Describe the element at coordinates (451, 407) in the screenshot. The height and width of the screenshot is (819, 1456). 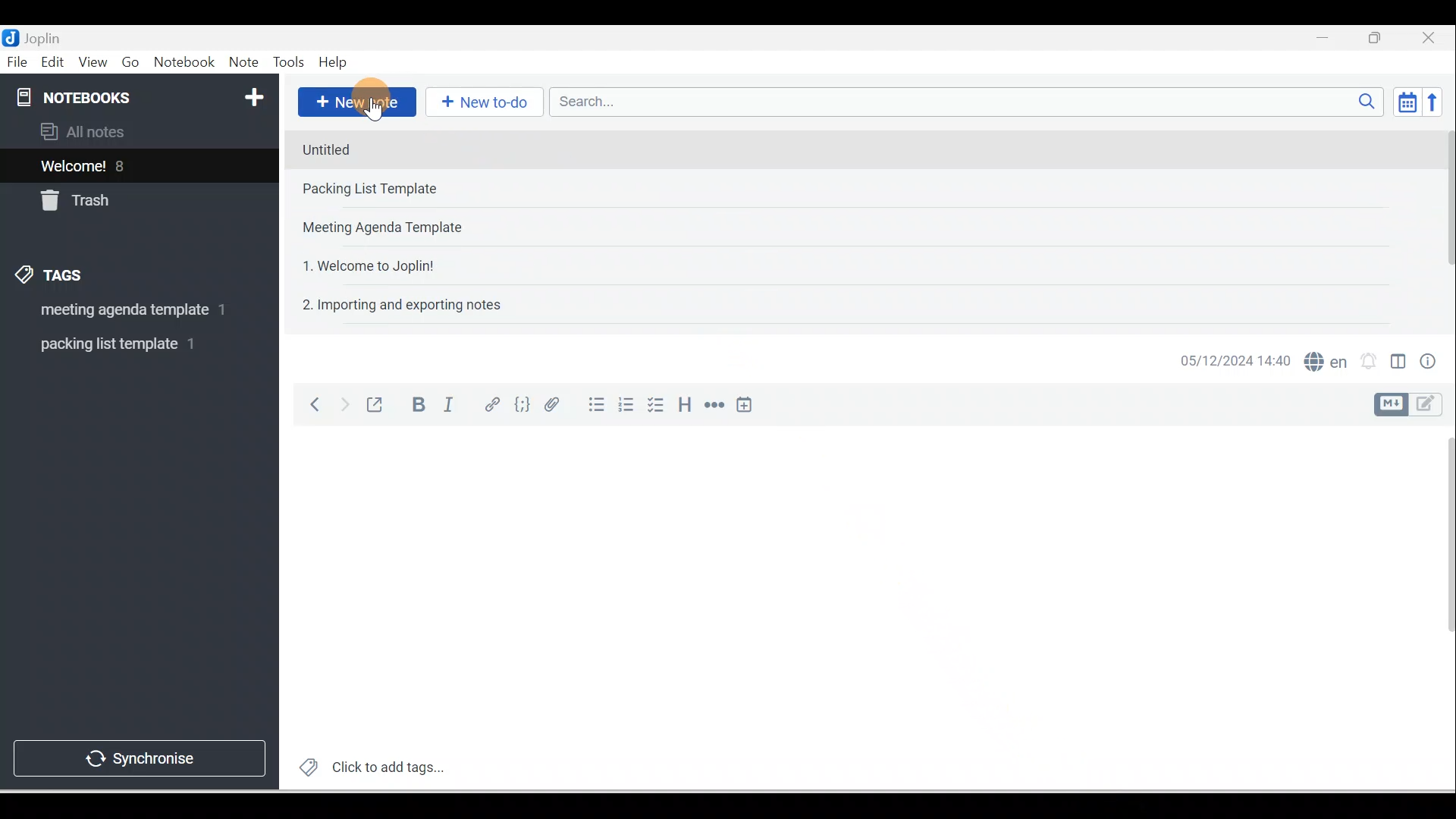
I see `Italic` at that location.